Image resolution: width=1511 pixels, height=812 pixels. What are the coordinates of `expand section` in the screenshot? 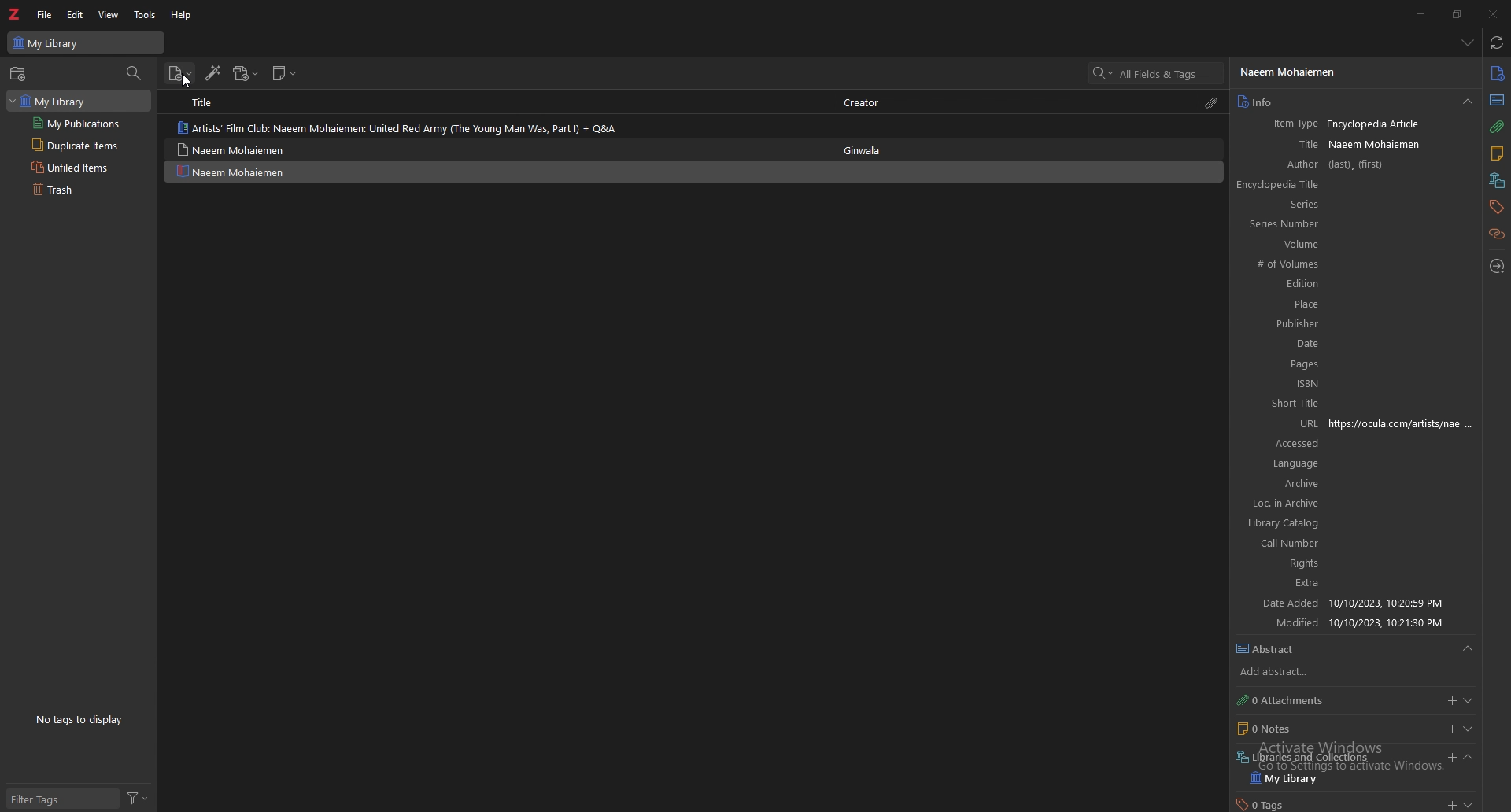 It's located at (1482, 803).